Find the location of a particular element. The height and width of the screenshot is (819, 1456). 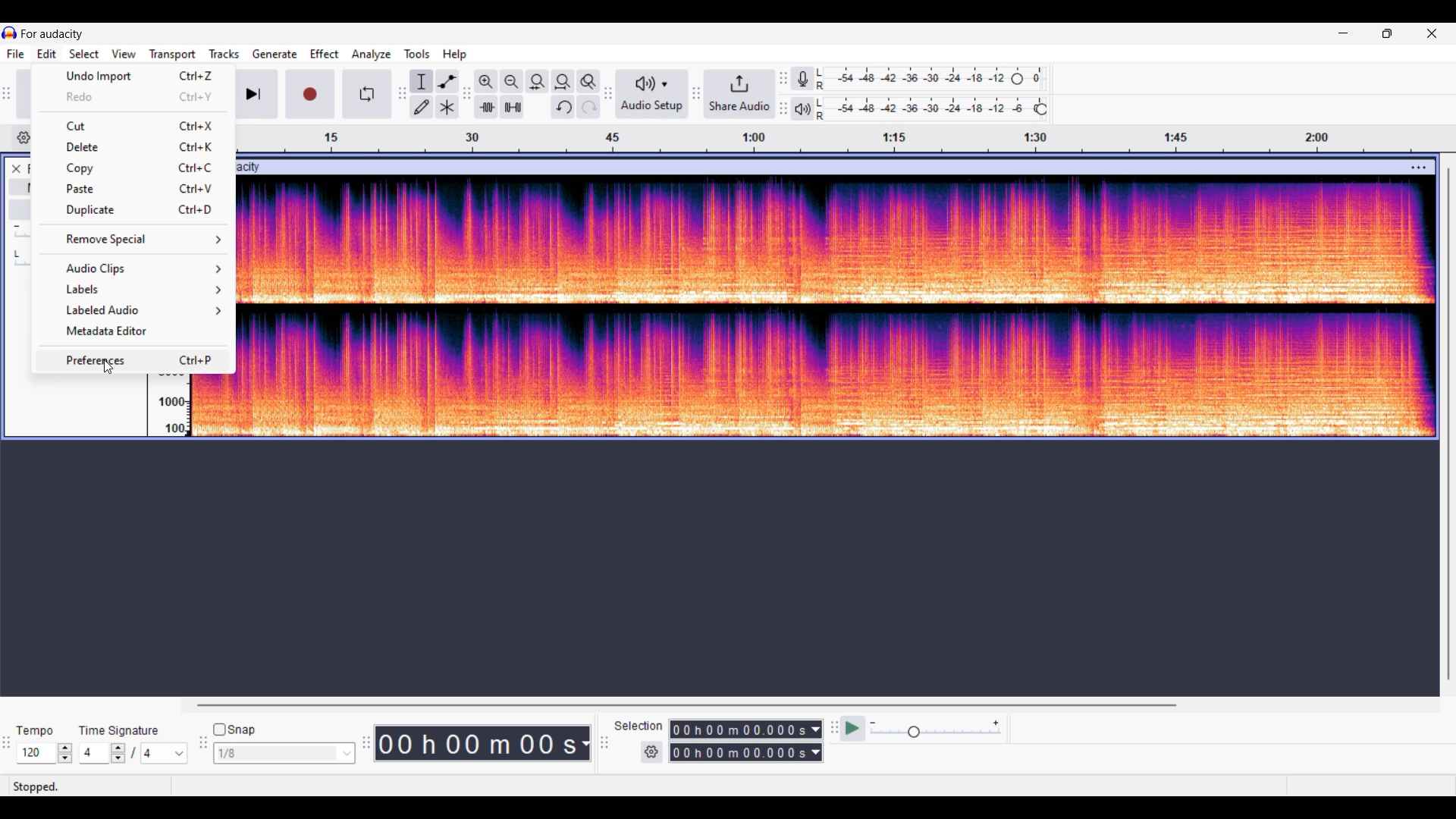

Duration measurement options is located at coordinates (585, 743).